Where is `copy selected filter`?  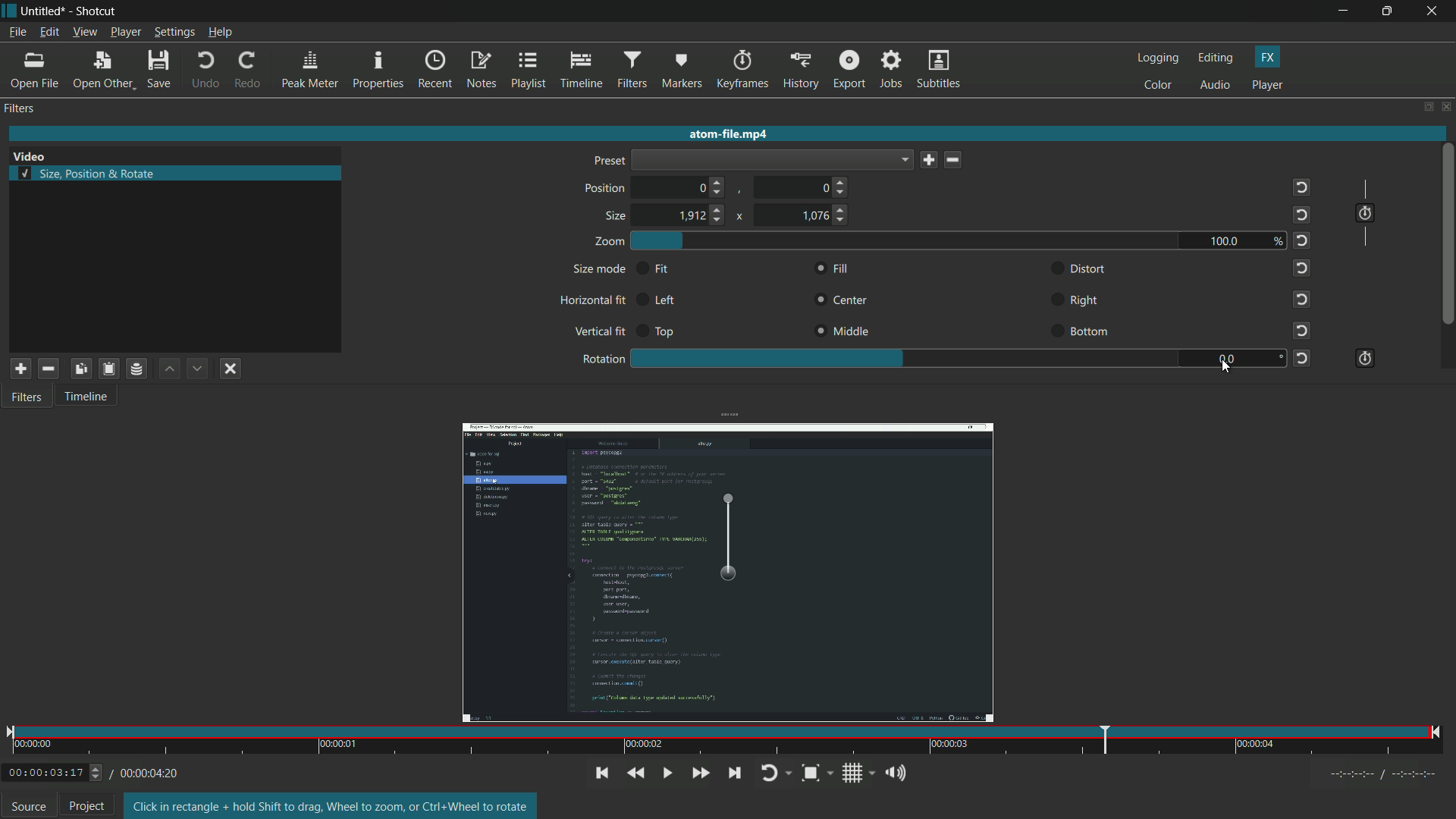 copy selected filter is located at coordinates (83, 369).